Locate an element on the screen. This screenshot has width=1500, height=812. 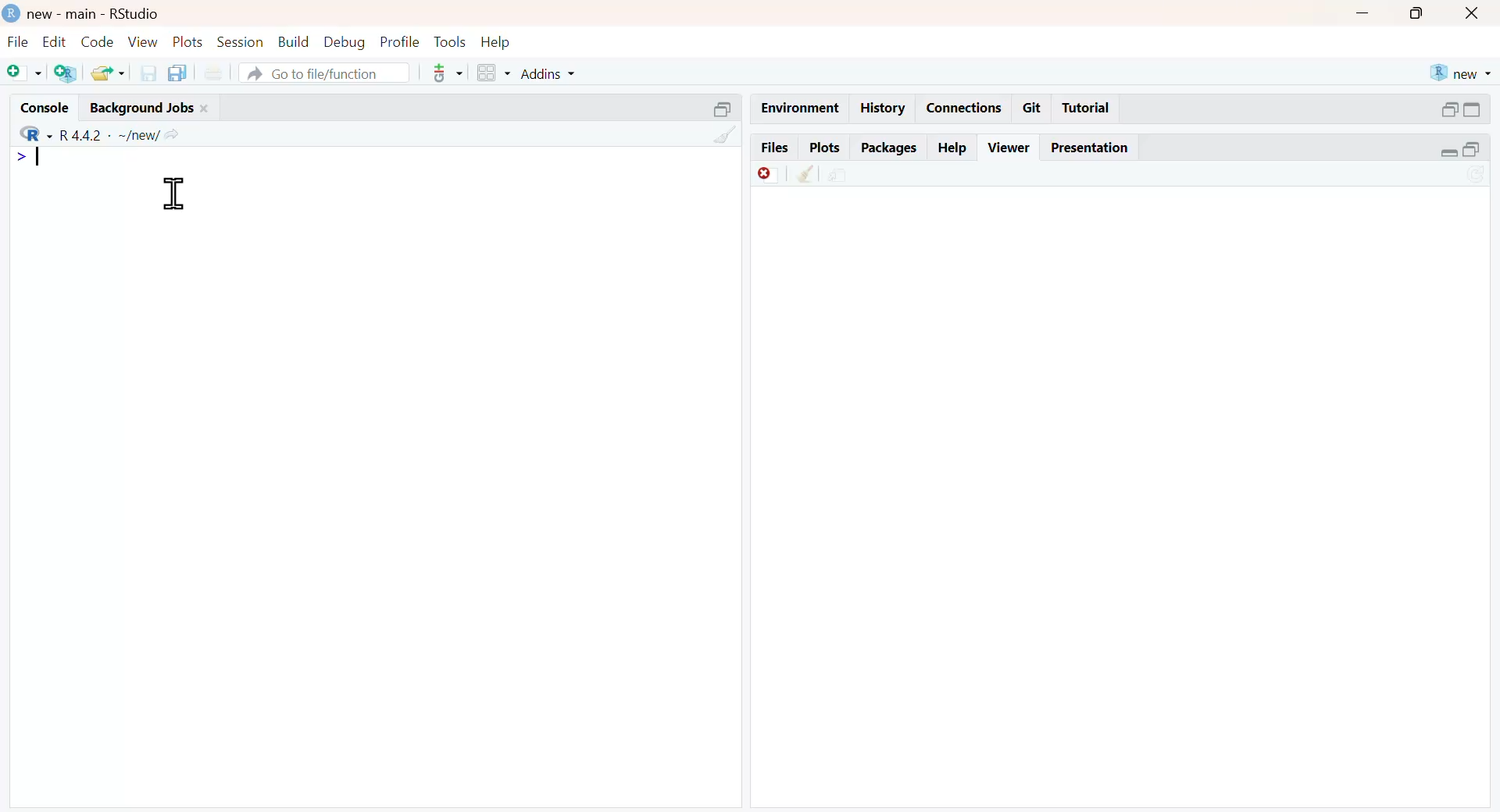
clean is located at coordinates (726, 136).